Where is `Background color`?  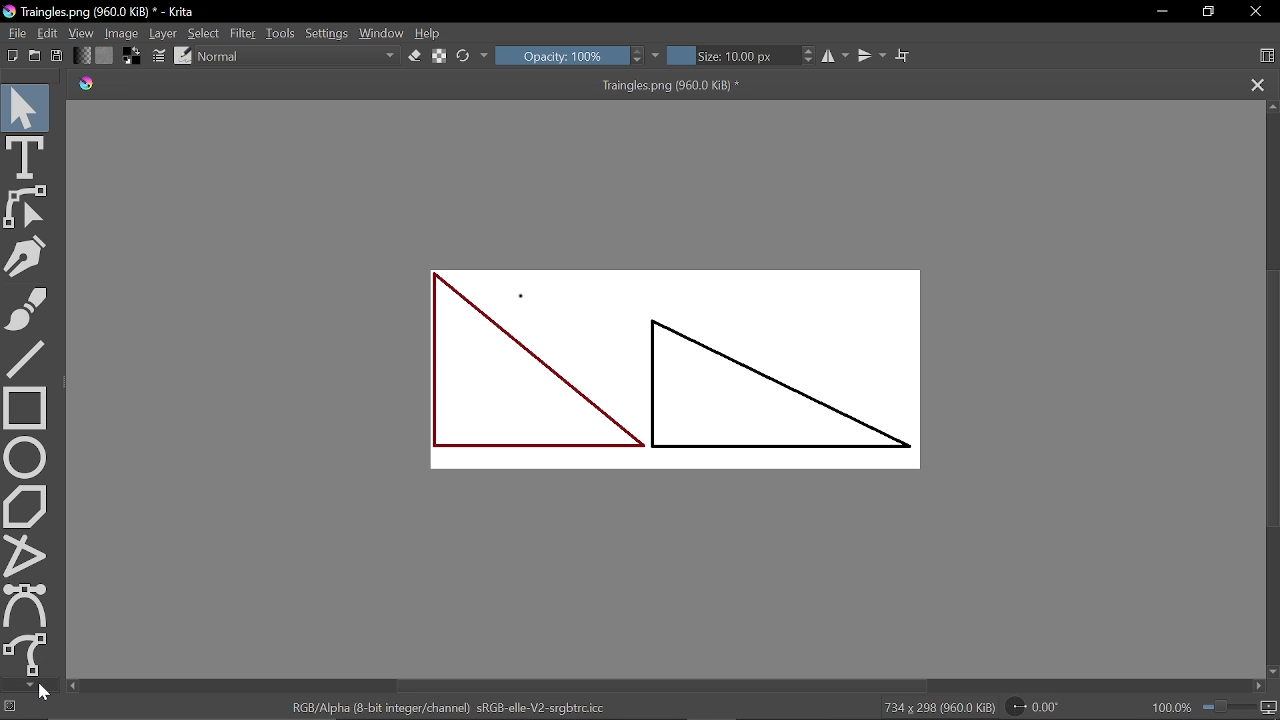
Background color is located at coordinates (131, 55).